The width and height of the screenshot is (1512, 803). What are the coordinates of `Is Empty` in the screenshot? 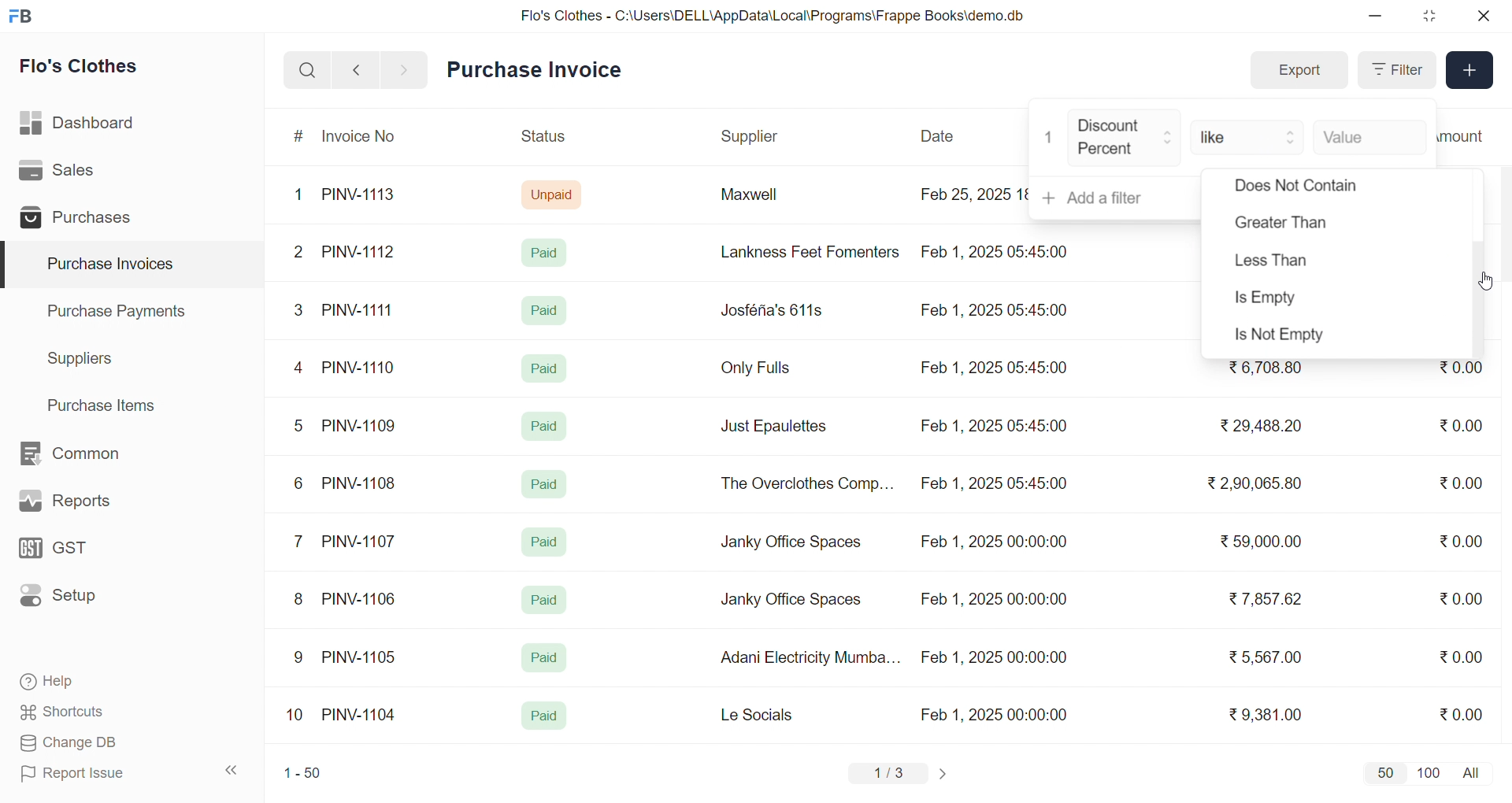 It's located at (1295, 302).